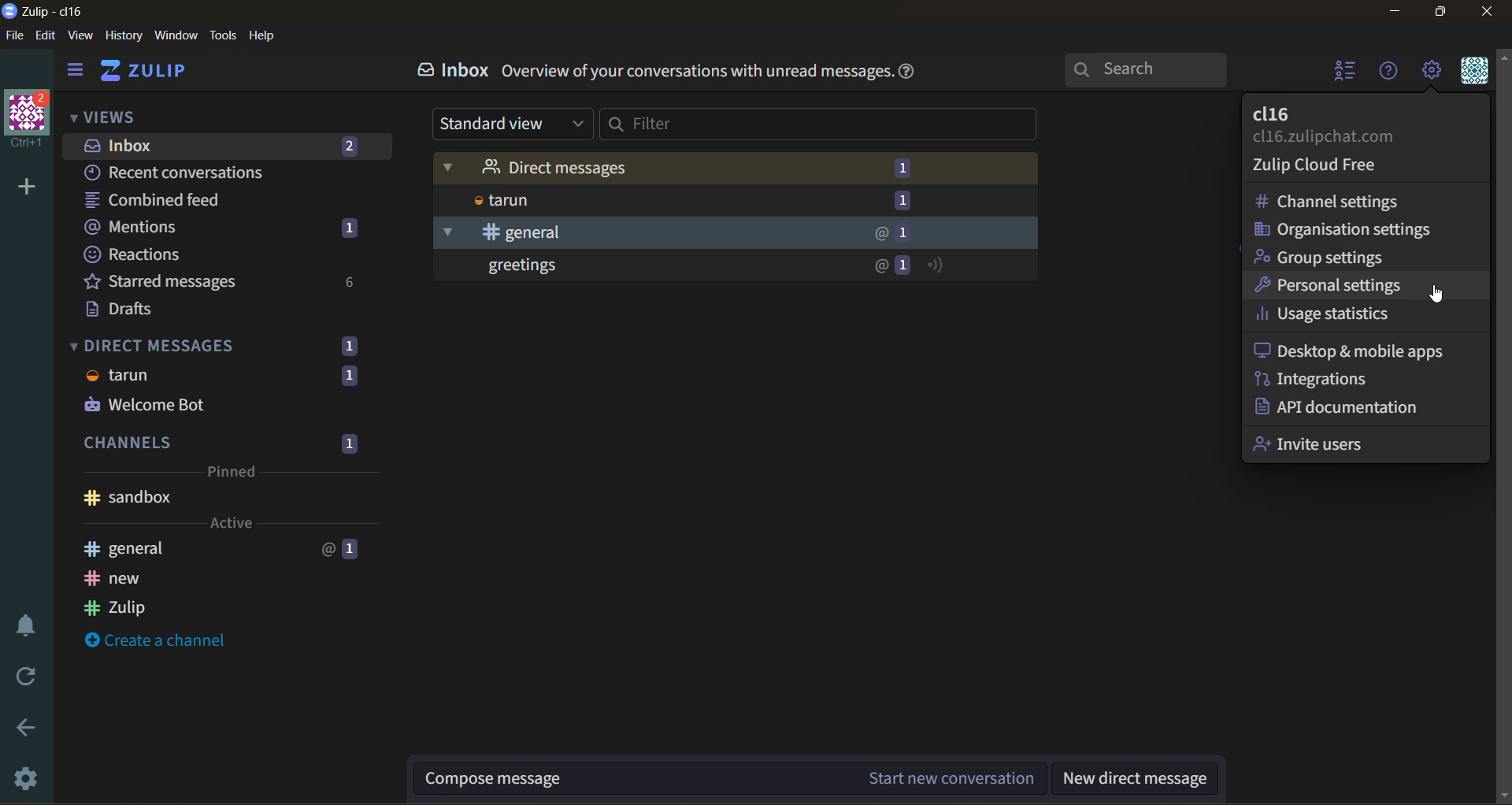  I want to click on zulip cloud, so click(1329, 166).